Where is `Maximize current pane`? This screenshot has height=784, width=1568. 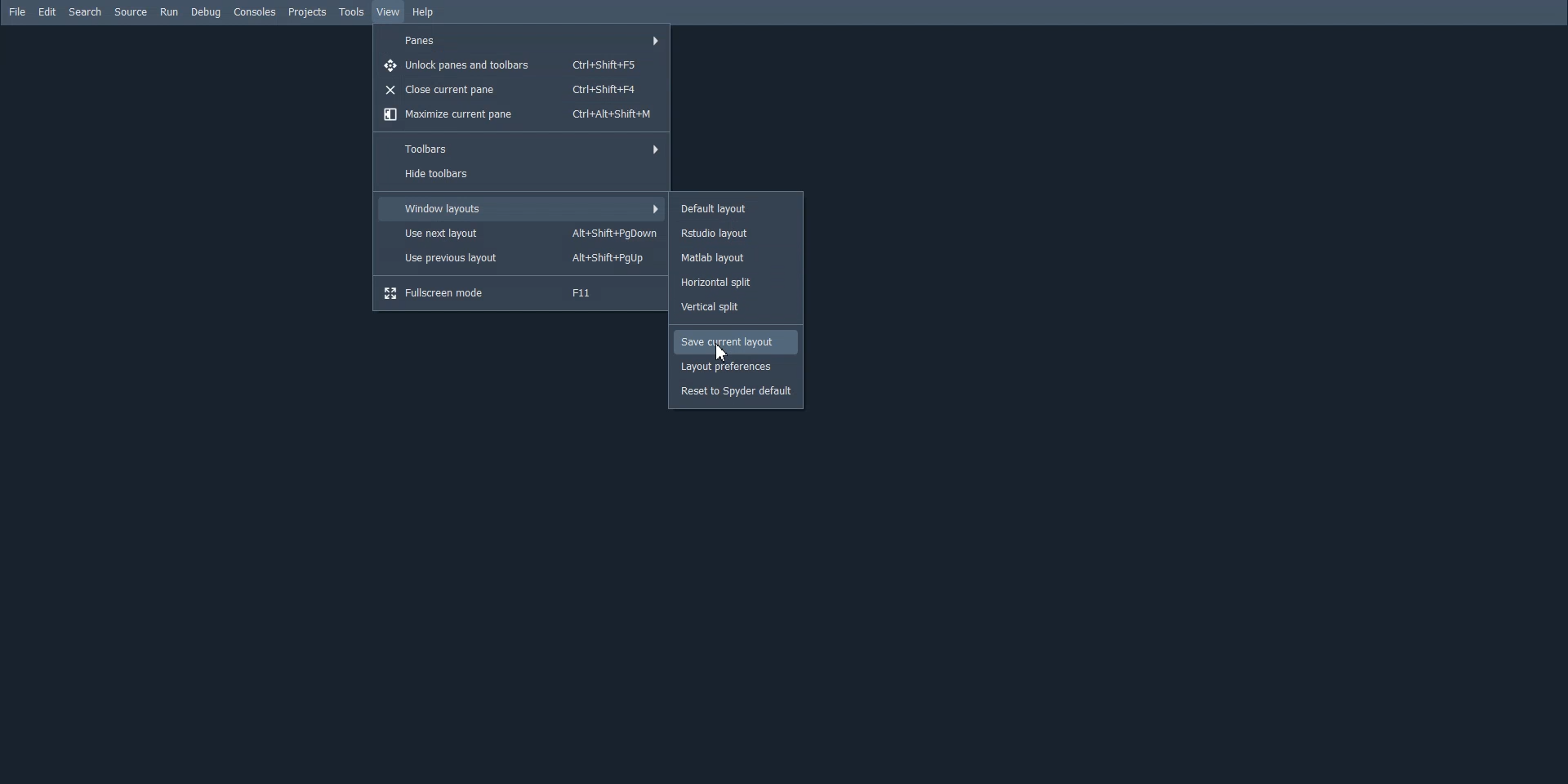 Maximize current pane is located at coordinates (519, 115).